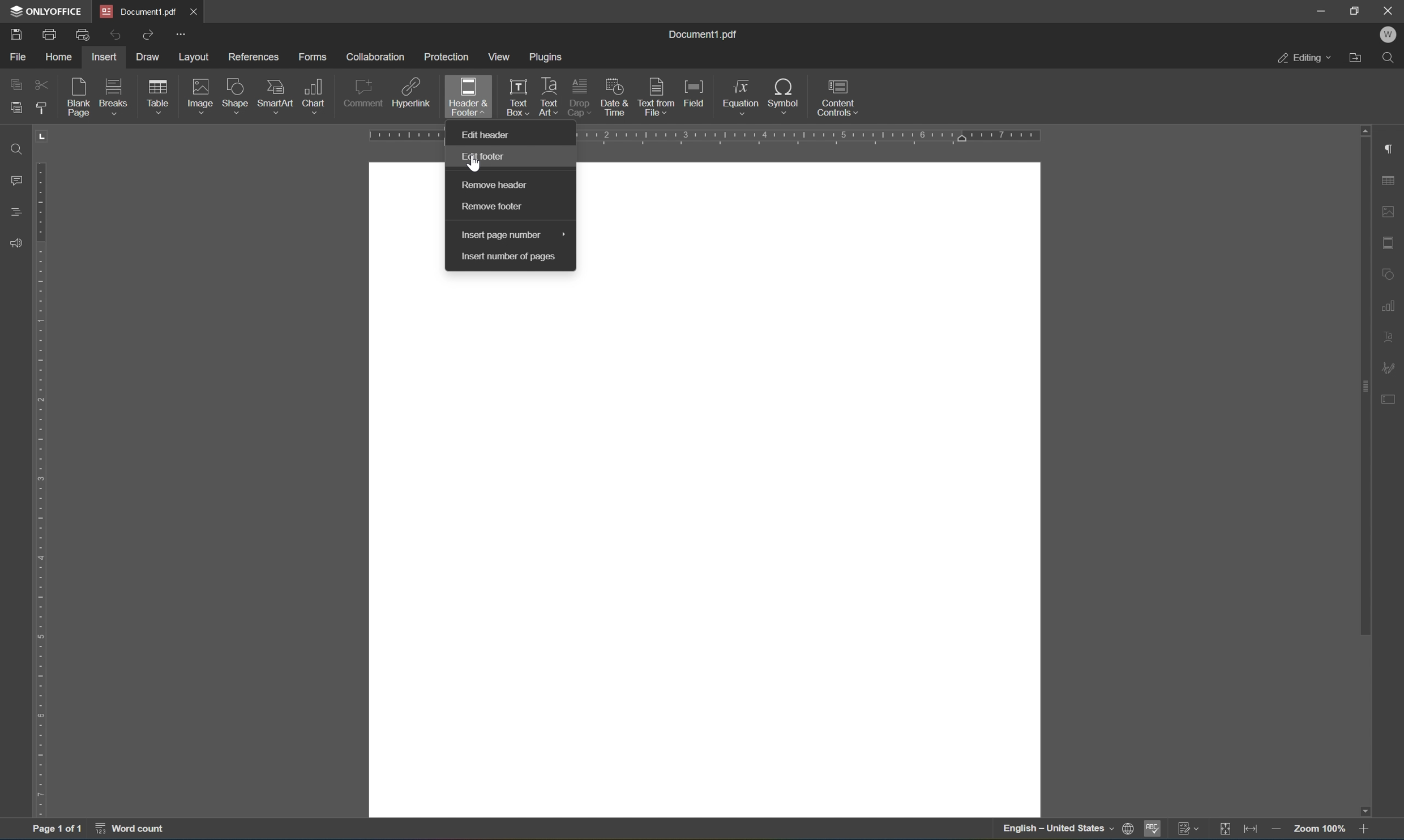 The width and height of the screenshot is (1404, 840). Describe the element at coordinates (1391, 242) in the screenshot. I see `header & footer settings` at that location.